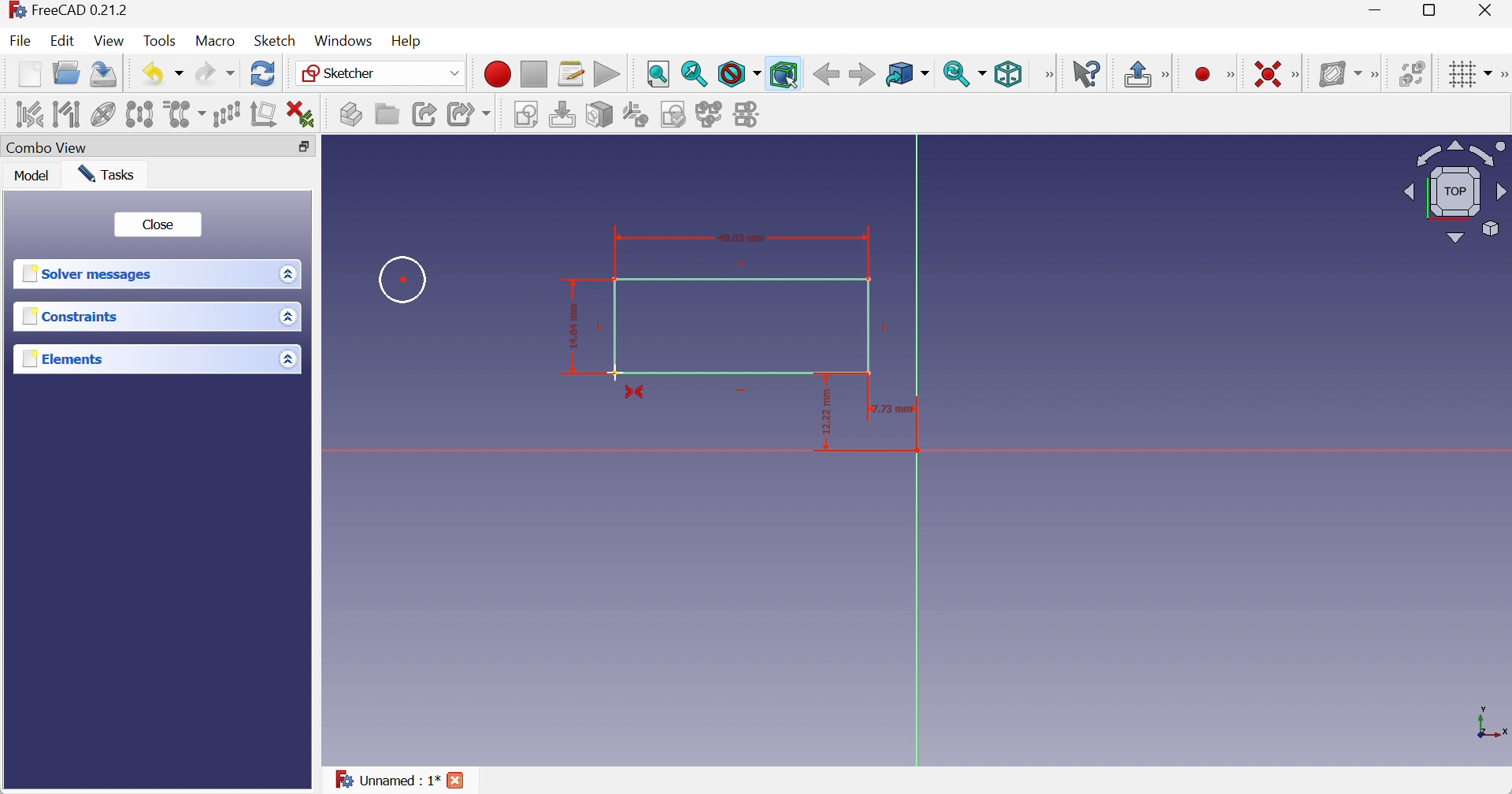 Image resolution: width=1512 pixels, height=794 pixels. Describe the element at coordinates (639, 396) in the screenshot. I see `constrain symmetrical` at that location.